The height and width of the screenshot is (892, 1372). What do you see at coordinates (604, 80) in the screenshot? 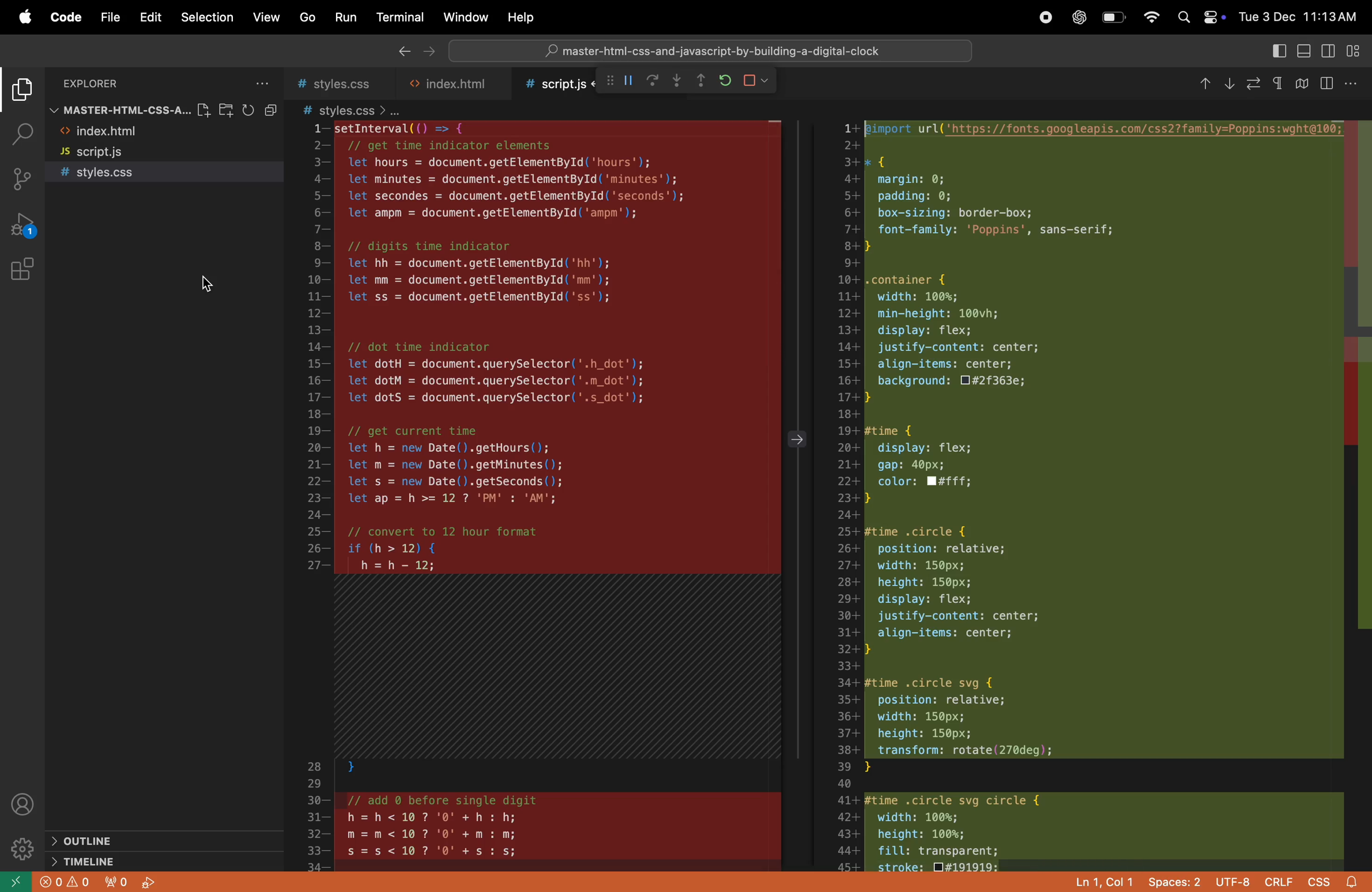
I see `call stack` at bounding box center [604, 80].